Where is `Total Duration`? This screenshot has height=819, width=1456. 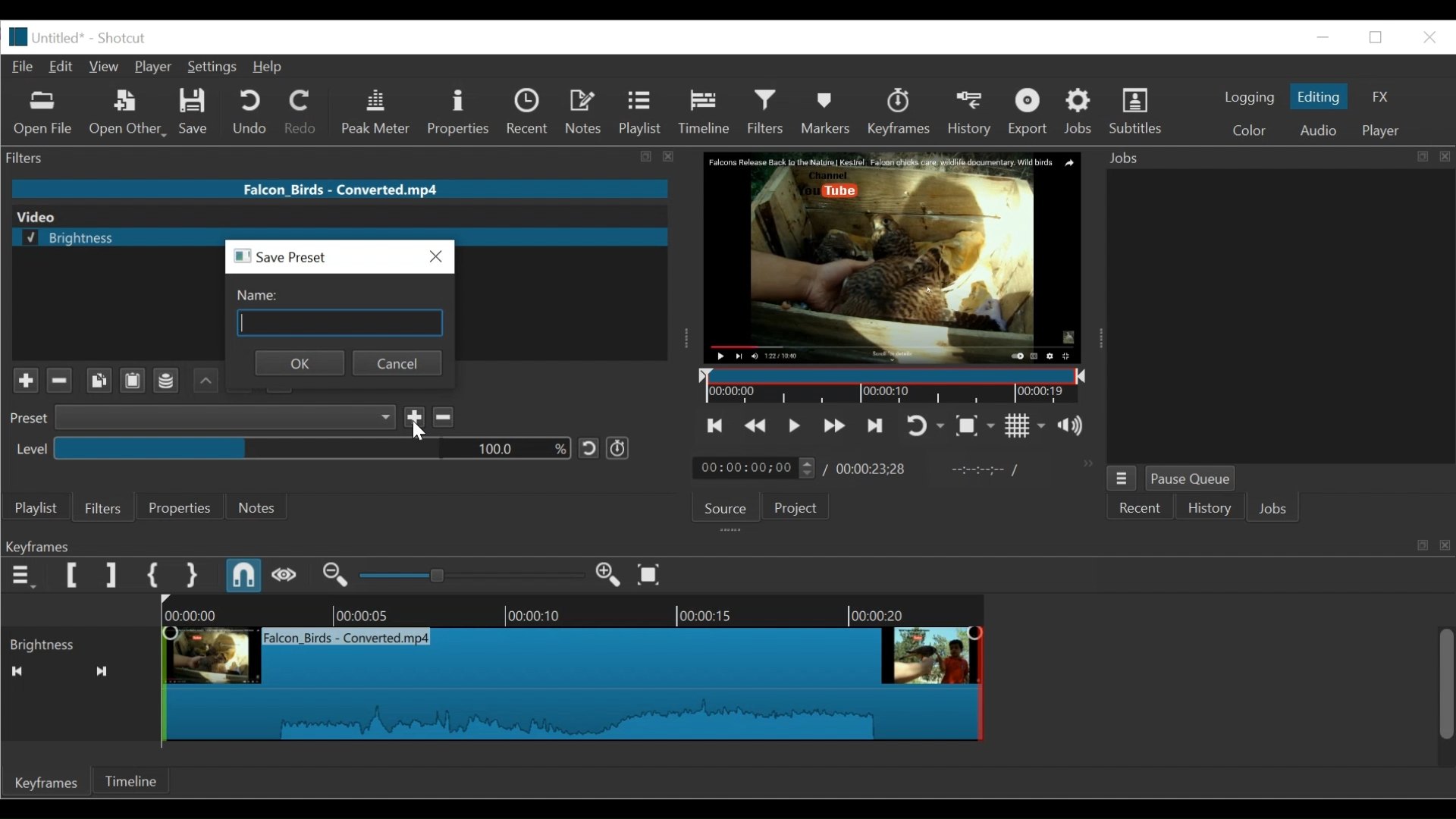
Total Duration is located at coordinates (871, 469).